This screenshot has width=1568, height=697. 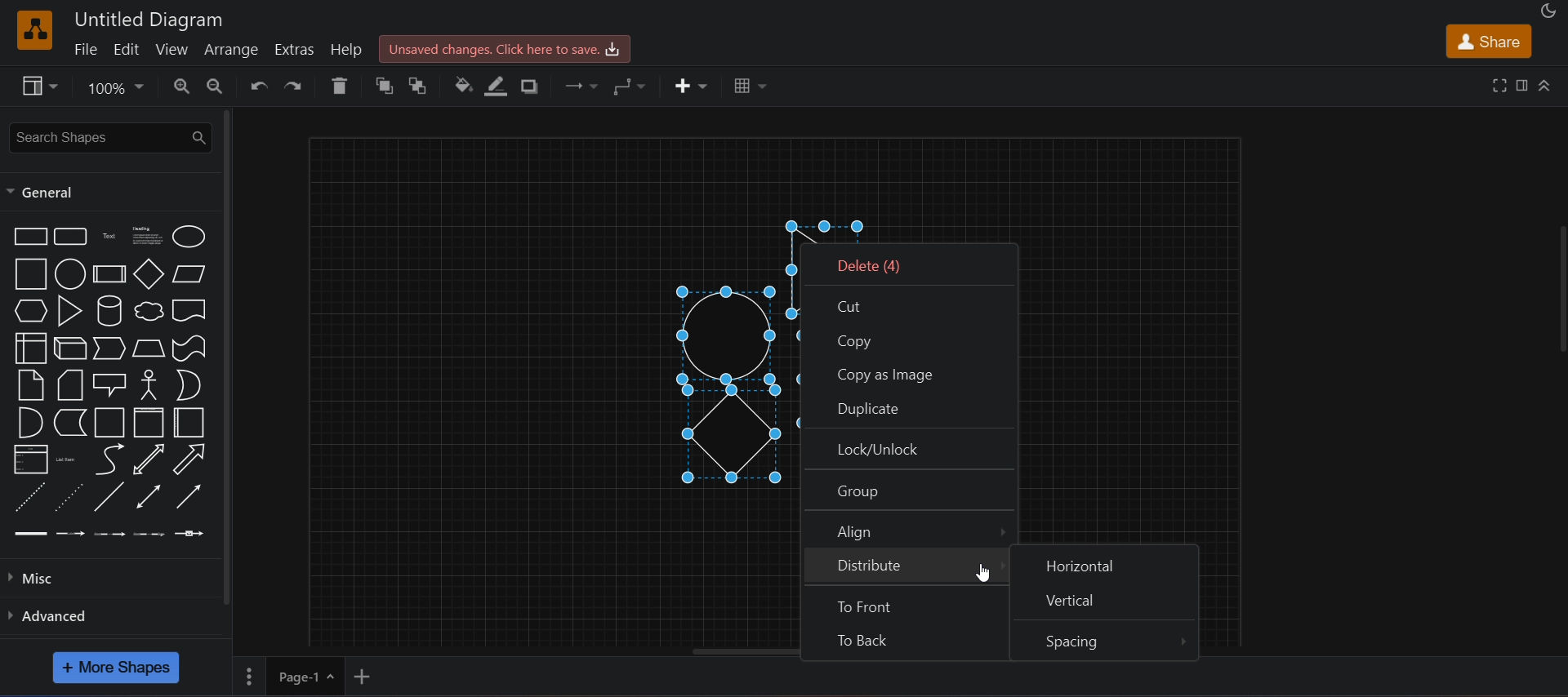 I want to click on extras, so click(x=297, y=47).